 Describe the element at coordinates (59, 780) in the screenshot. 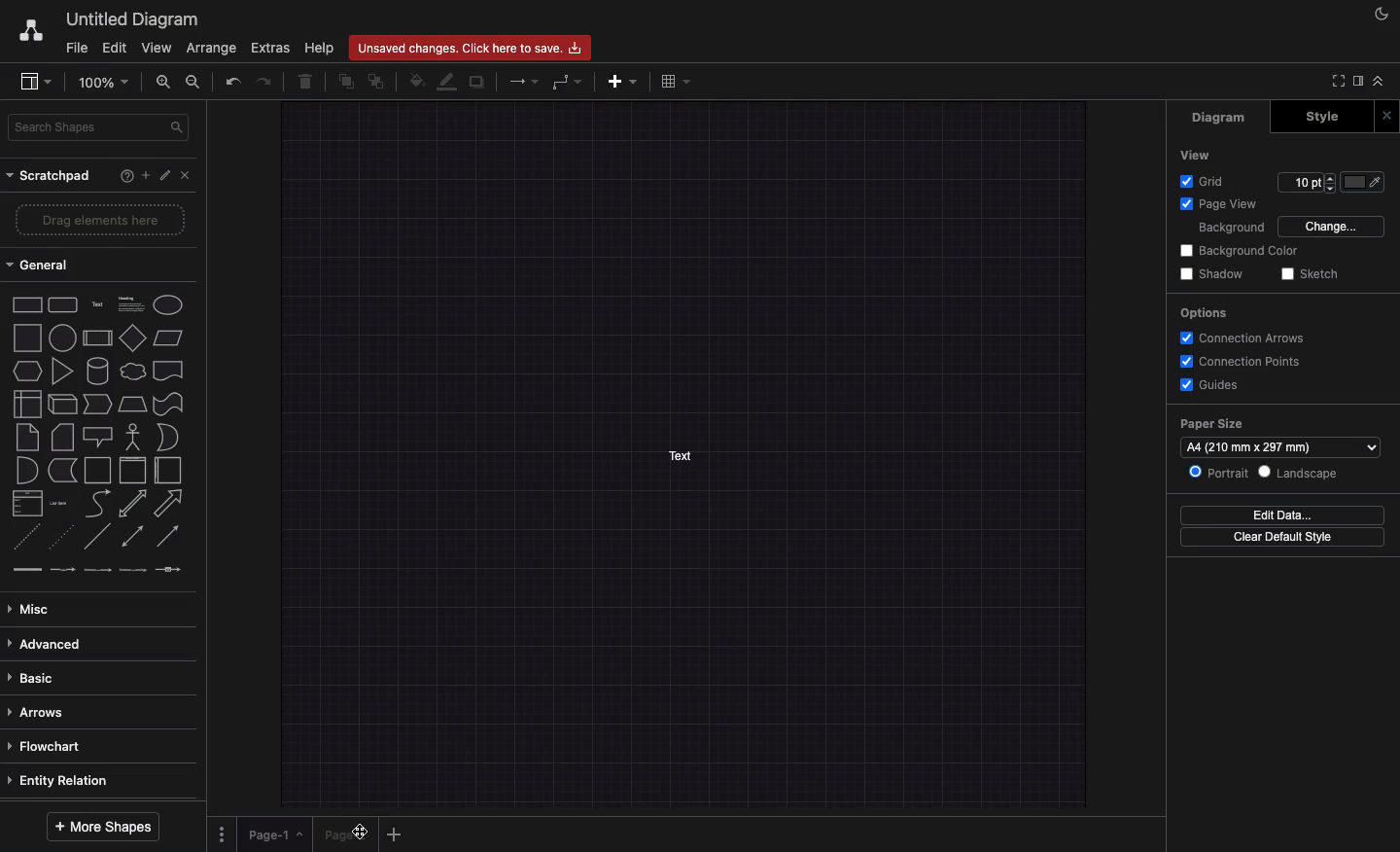

I see `Entity relation` at that location.